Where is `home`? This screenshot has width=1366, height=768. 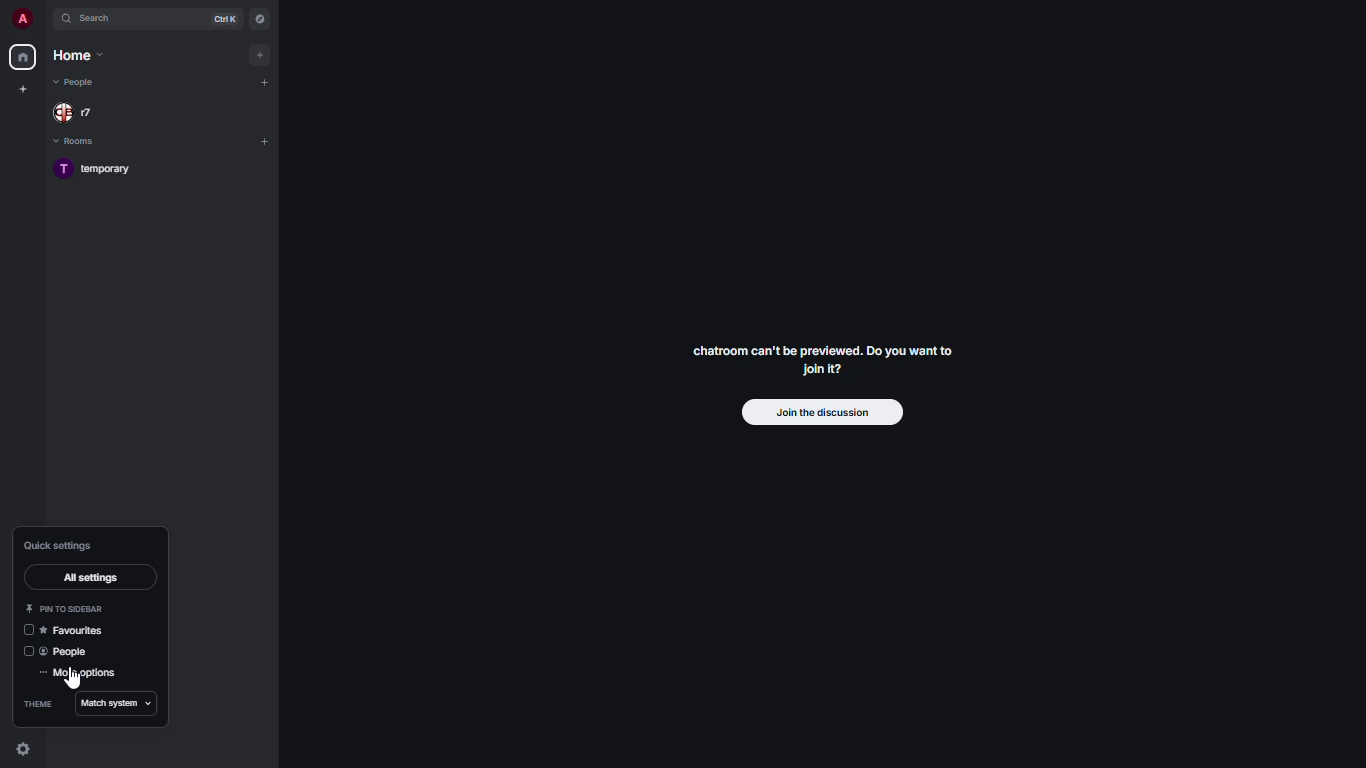 home is located at coordinates (82, 55).